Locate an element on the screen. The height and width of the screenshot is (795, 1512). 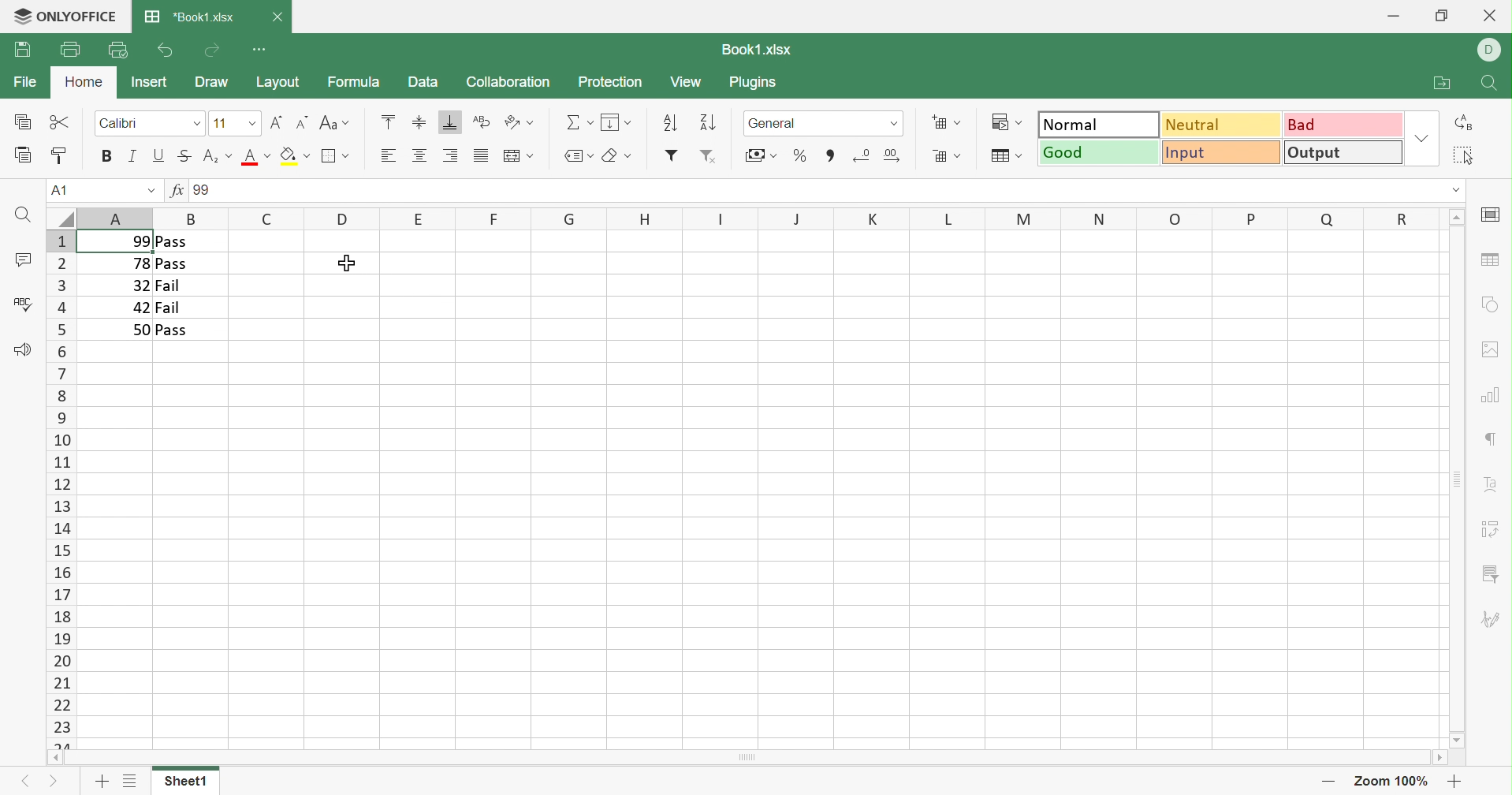
Pass is located at coordinates (172, 265).